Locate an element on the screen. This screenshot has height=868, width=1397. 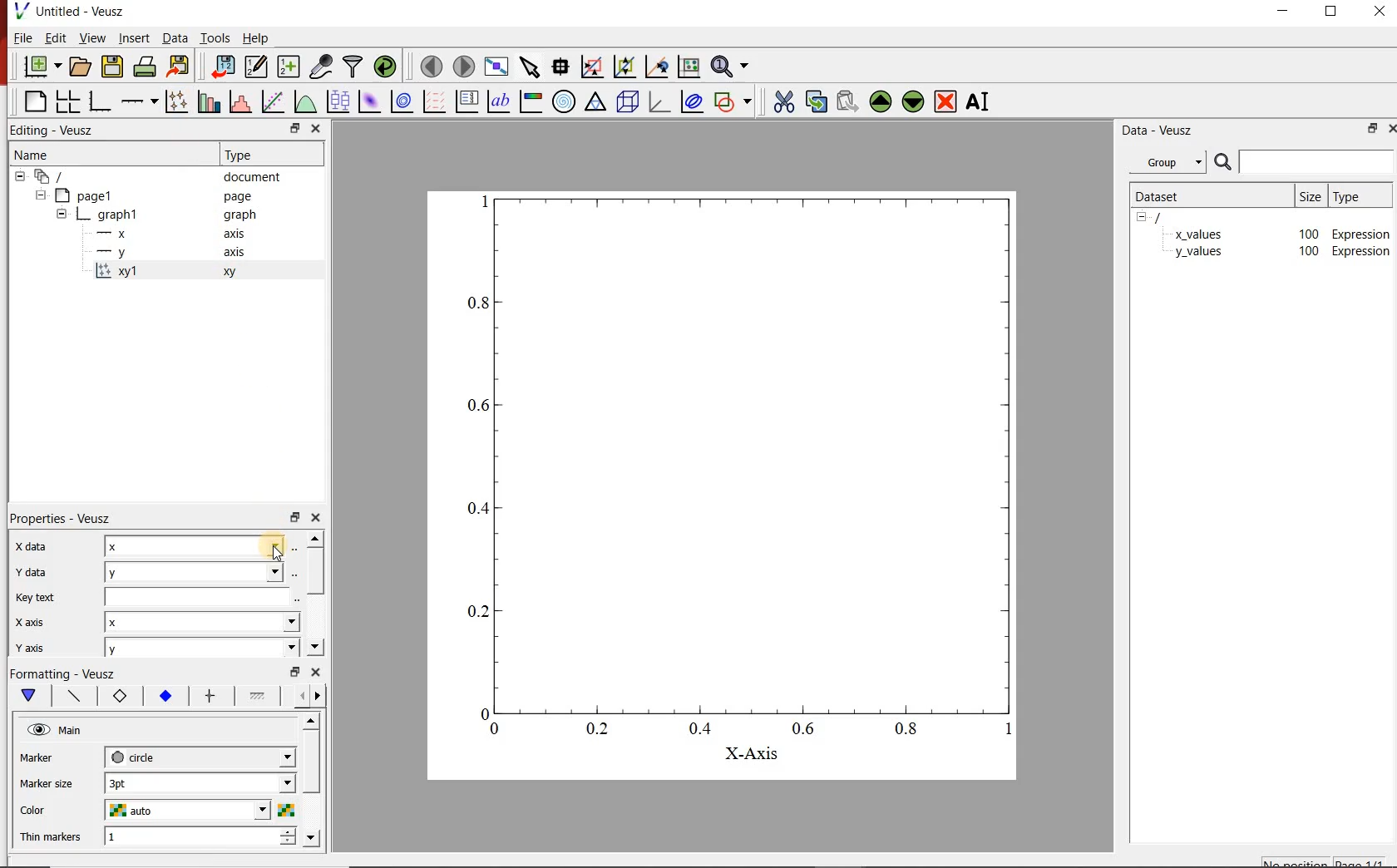
page is located at coordinates (236, 195).